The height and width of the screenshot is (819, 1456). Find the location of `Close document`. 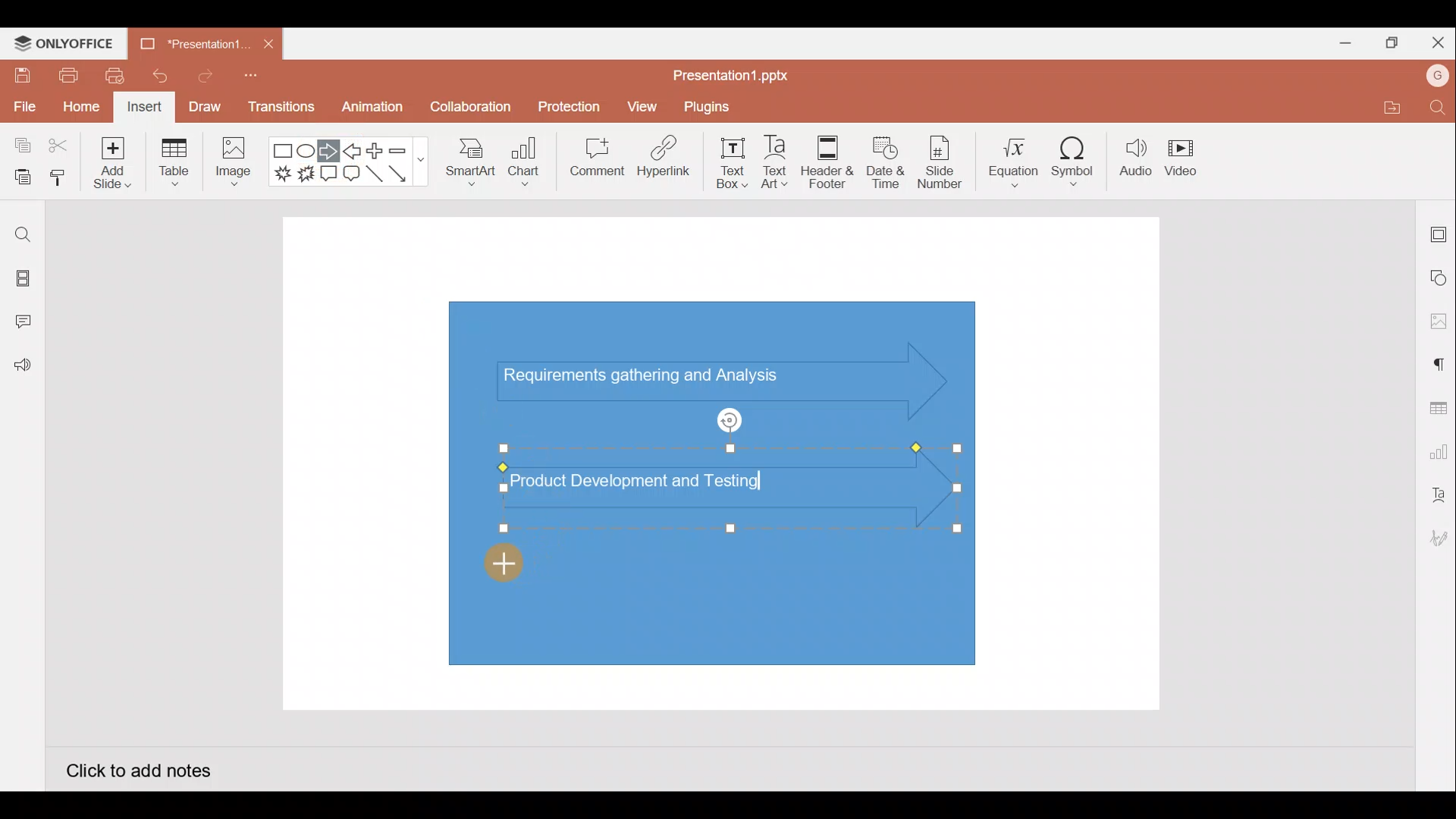

Close document is located at coordinates (268, 40).